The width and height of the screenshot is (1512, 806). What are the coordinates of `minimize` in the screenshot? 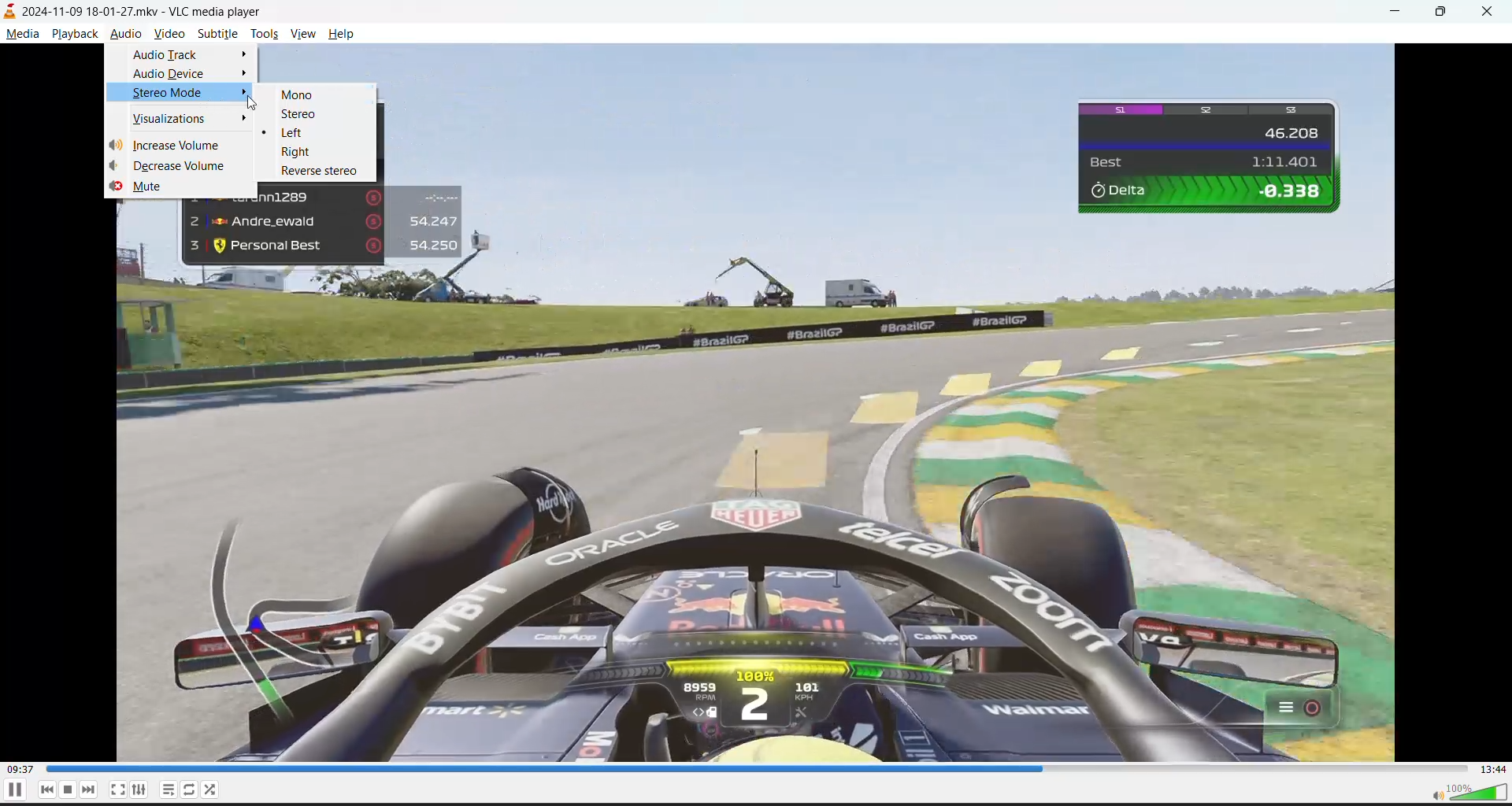 It's located at (1402, 12).